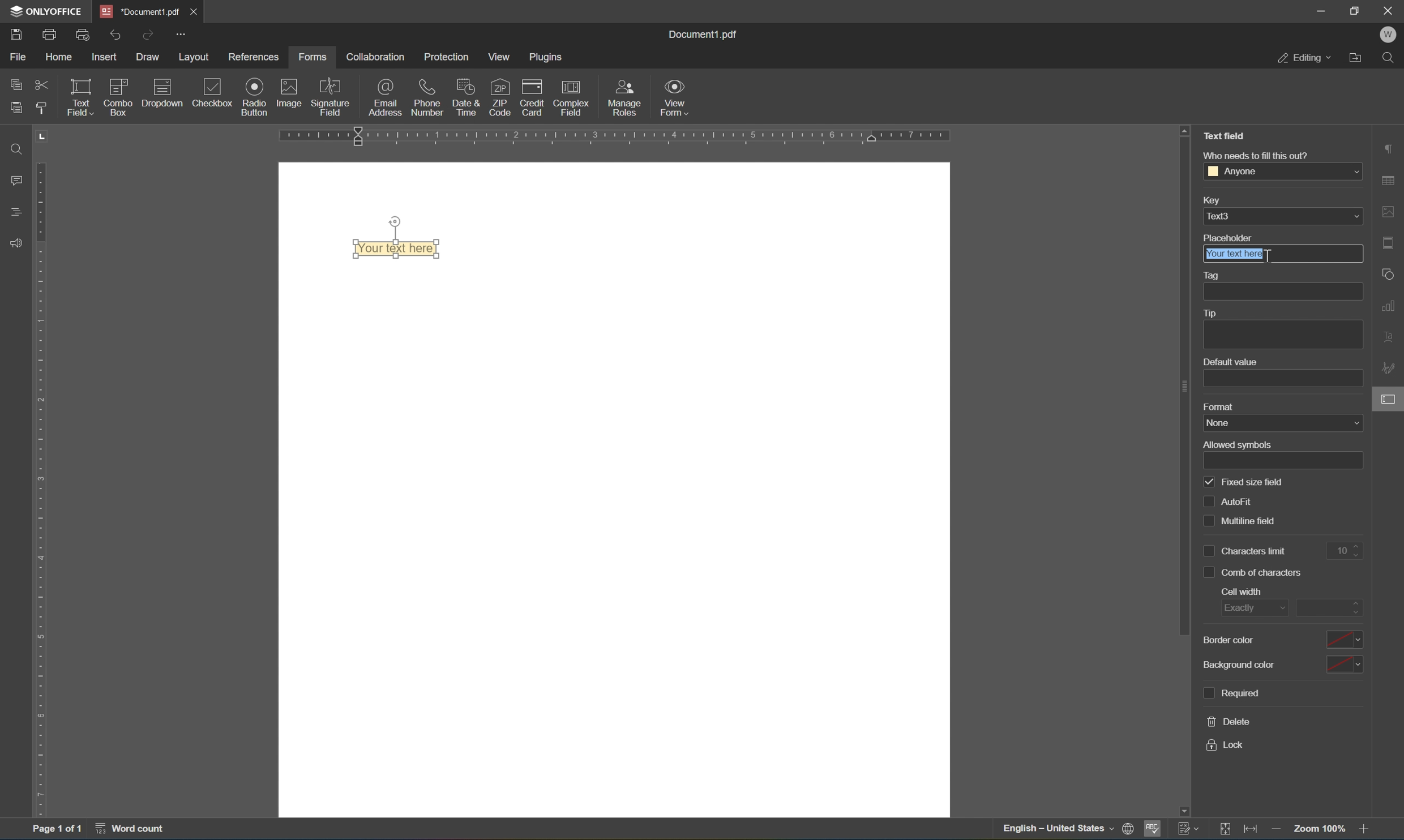 The image size is (1404, 840). What do you see at coordinates (215, 91) in the screenshot?
I see `checkbox` at bounding box center [215, 91].